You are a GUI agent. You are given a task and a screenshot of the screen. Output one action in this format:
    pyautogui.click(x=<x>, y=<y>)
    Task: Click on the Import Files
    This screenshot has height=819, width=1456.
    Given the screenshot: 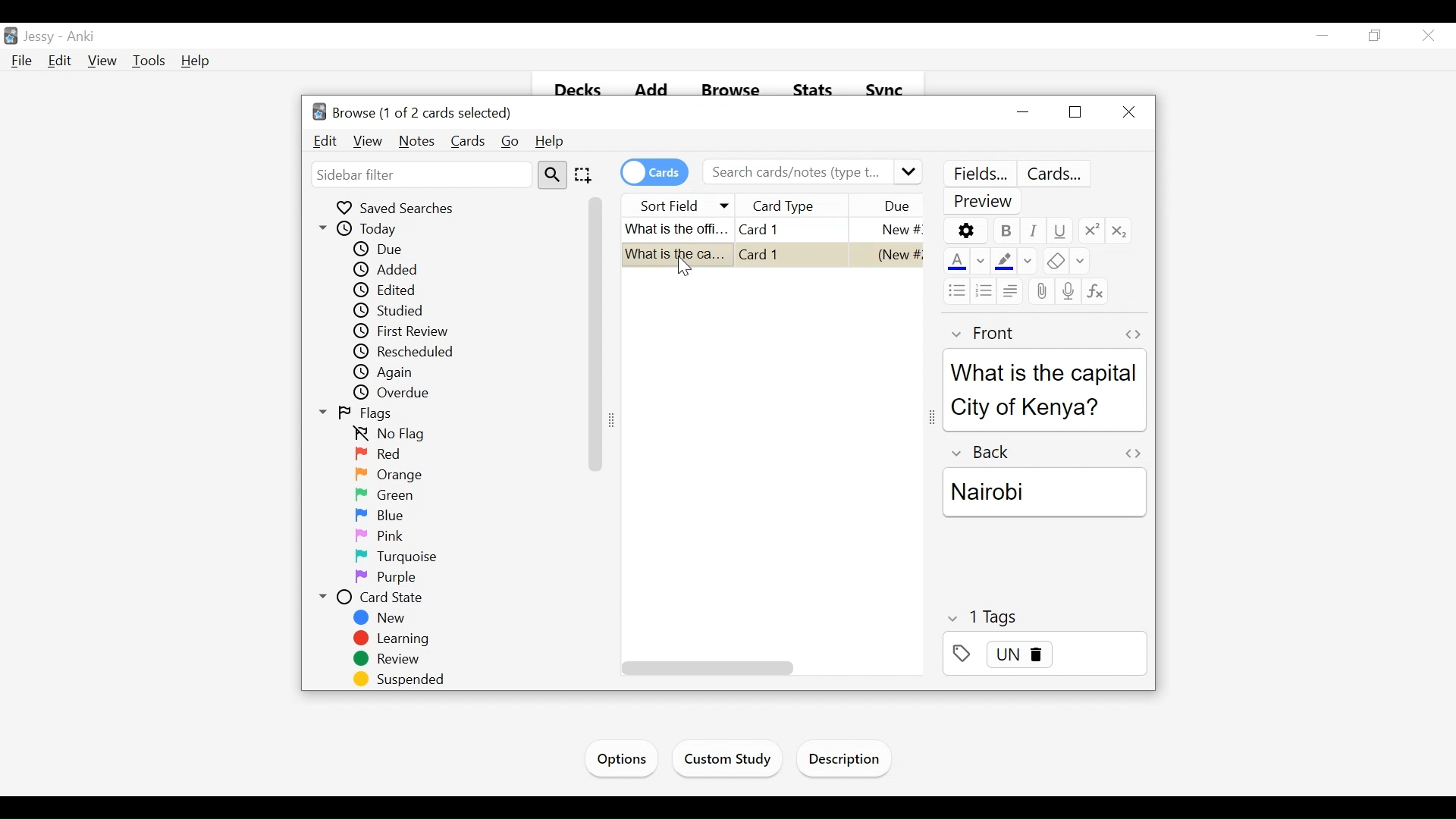 What is the action you would take?
    pyautogui.click(x=848, y=761)
    